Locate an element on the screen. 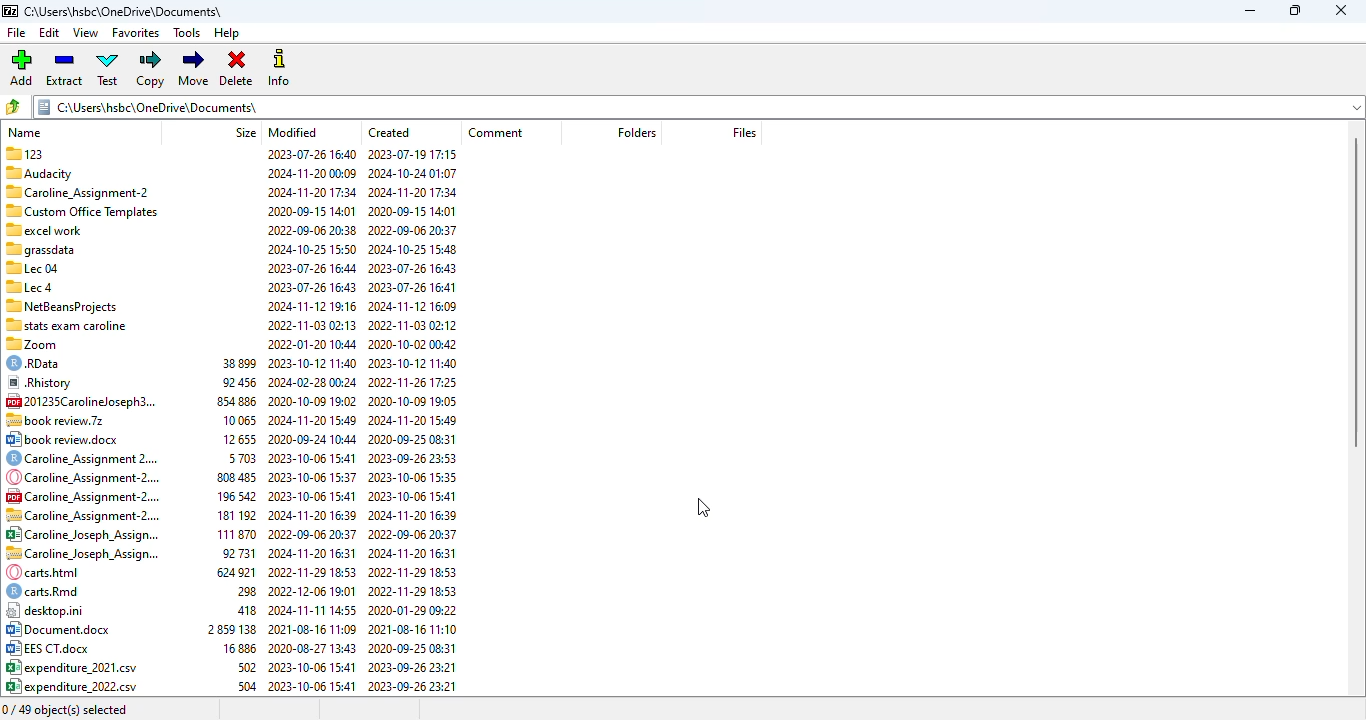 This screenshot has height=720, width=1366. info is located at coordinates (278, 68).